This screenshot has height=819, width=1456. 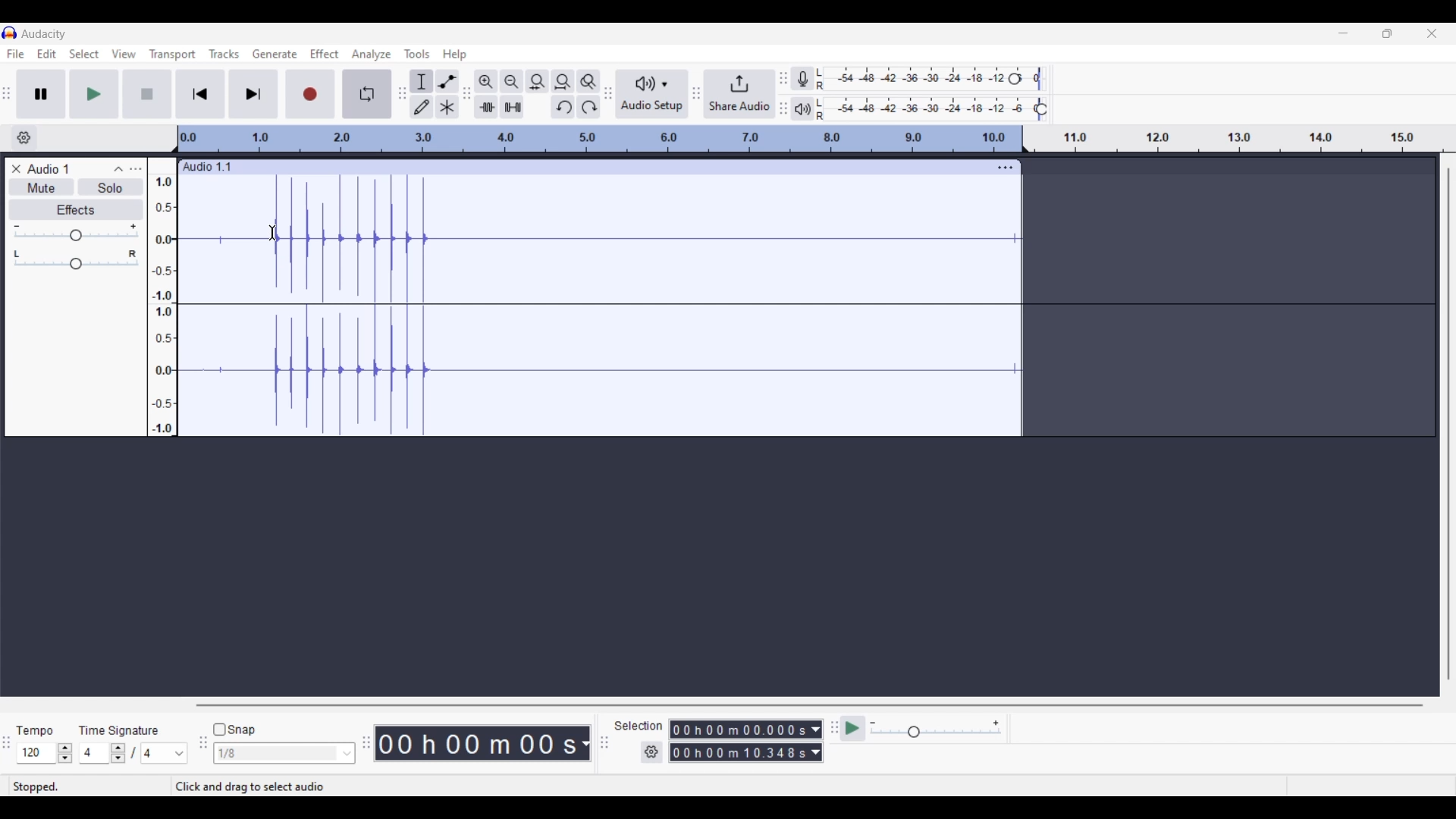 I want to click on Help menu, so click(x=453, y=54).